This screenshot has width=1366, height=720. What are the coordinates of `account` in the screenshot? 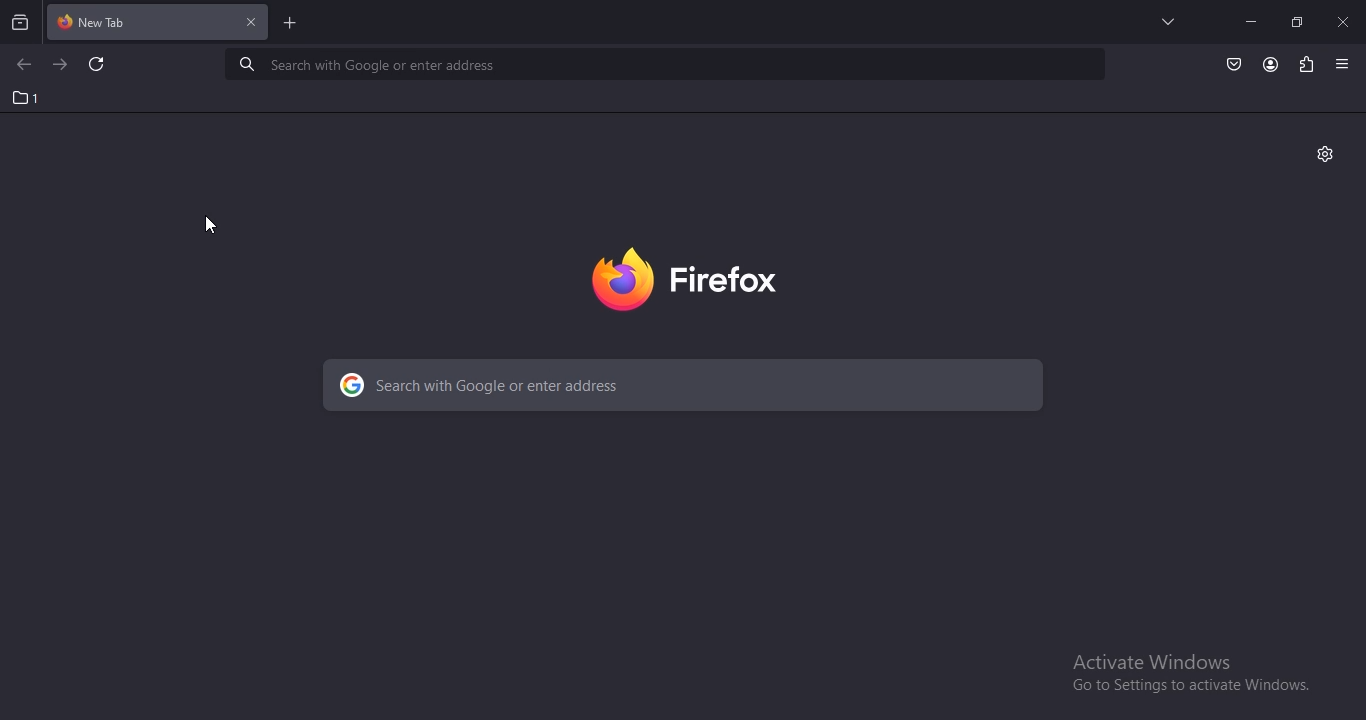 It's located at (1271, 65).